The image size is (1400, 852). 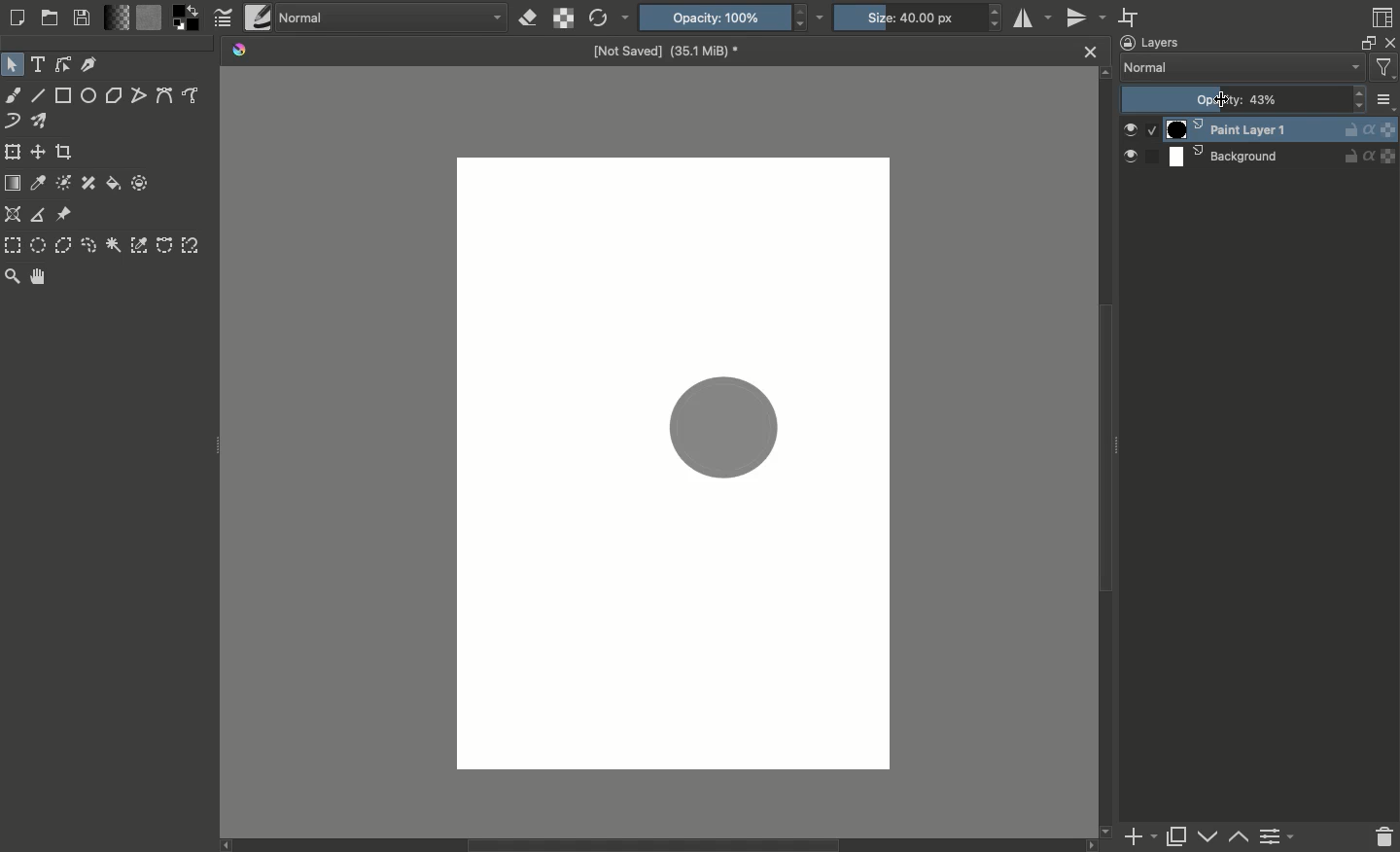 I want to click on Scroll, so click(x=1108, y=458).